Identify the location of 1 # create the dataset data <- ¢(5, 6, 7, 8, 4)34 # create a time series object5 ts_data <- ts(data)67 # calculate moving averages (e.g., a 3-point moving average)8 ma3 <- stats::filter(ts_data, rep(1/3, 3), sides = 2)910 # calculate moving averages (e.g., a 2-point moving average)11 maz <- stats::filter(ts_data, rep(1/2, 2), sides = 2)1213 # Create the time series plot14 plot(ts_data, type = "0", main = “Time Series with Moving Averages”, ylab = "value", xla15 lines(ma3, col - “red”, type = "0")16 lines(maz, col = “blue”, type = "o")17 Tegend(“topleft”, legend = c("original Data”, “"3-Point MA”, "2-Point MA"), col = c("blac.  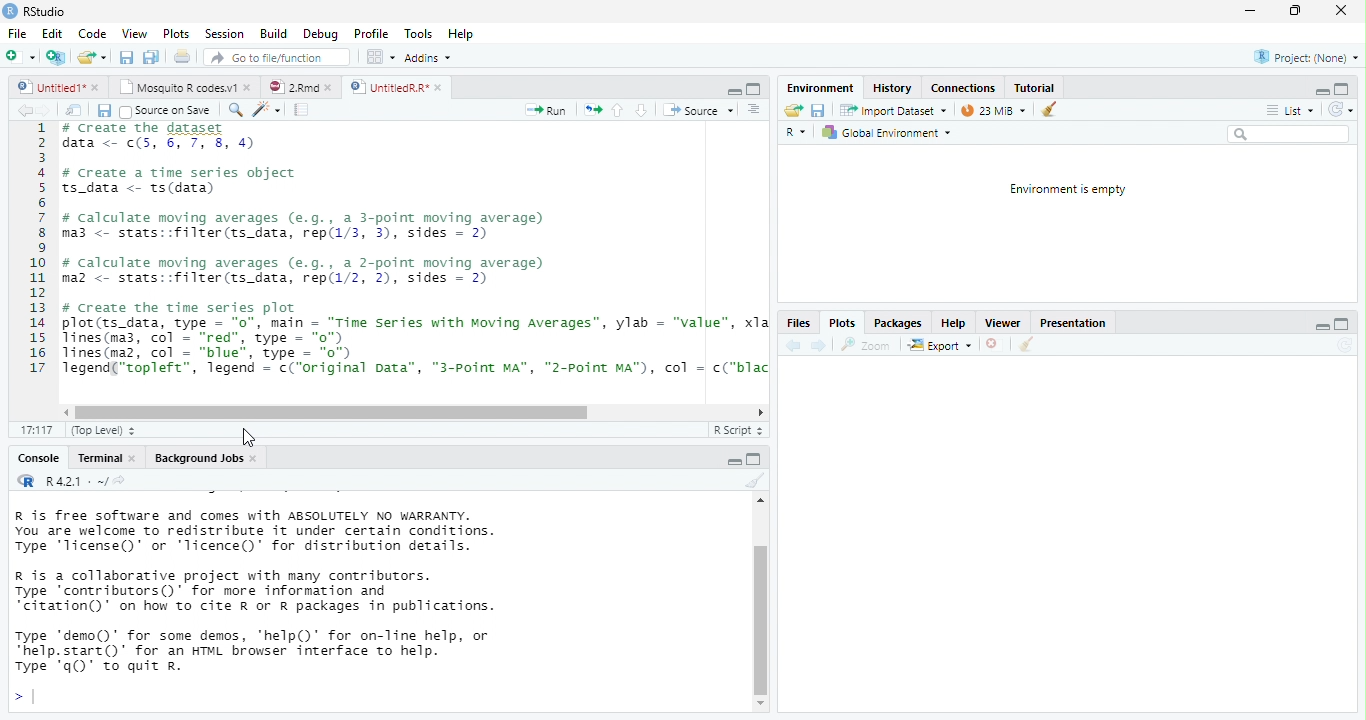
(399, 261).